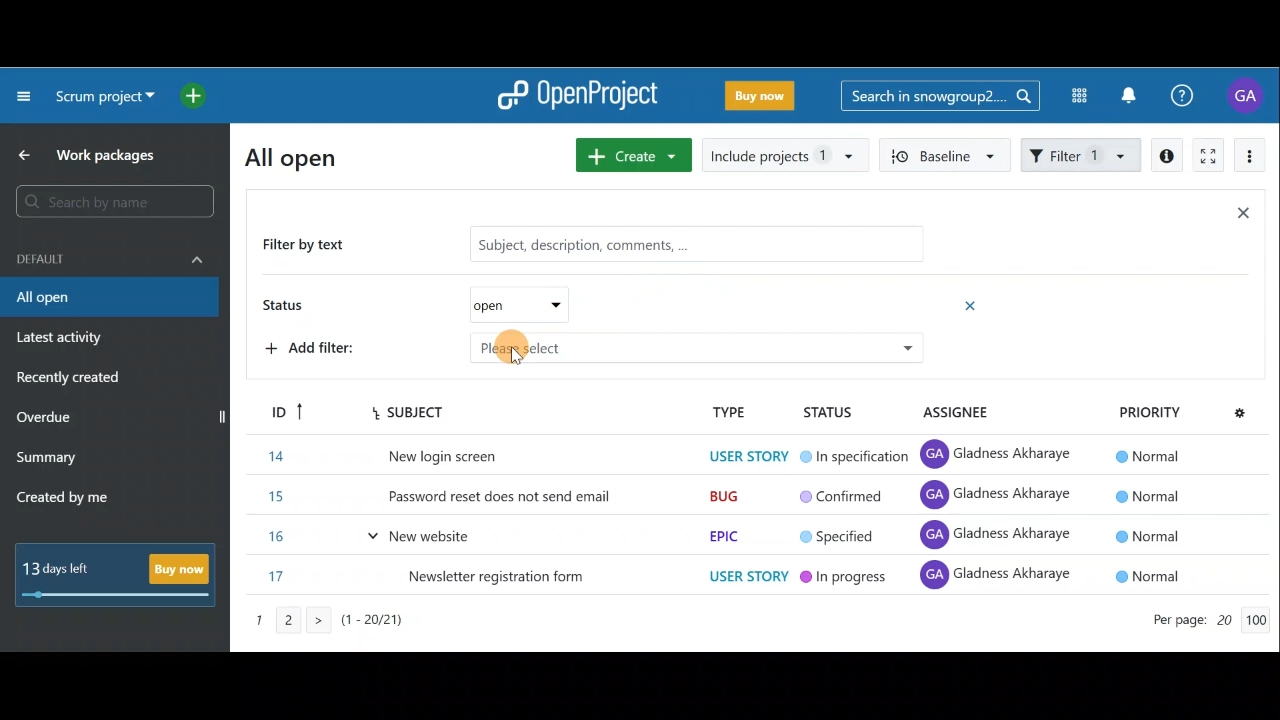 Image resolution: width=1280 pixels, height=720 pixels. Describe the element at coordinates (62, 340) in the screenshot. I see `Latest activity` at that location.